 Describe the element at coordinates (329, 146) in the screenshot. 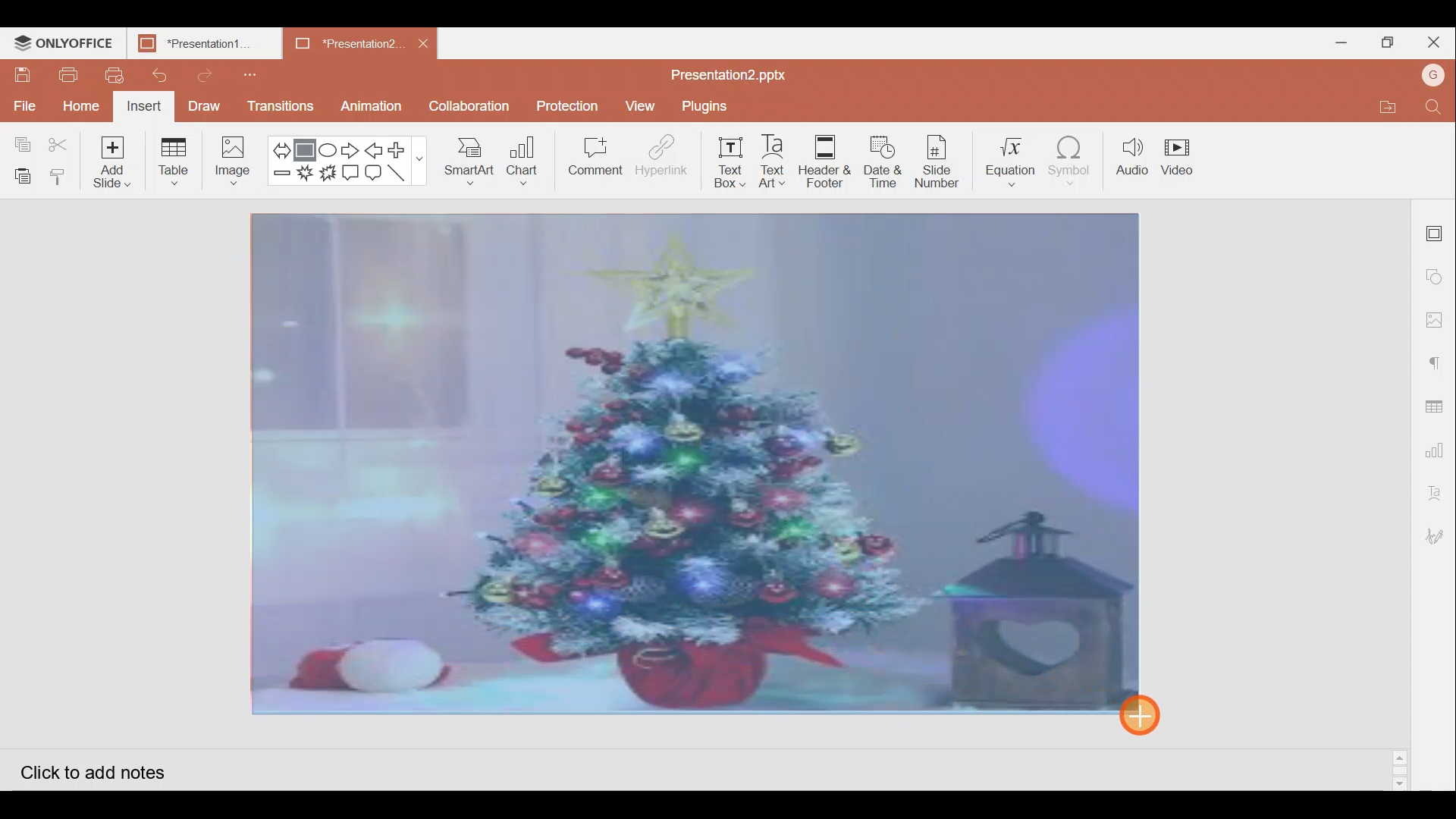

I see `Ellipse` at that location.